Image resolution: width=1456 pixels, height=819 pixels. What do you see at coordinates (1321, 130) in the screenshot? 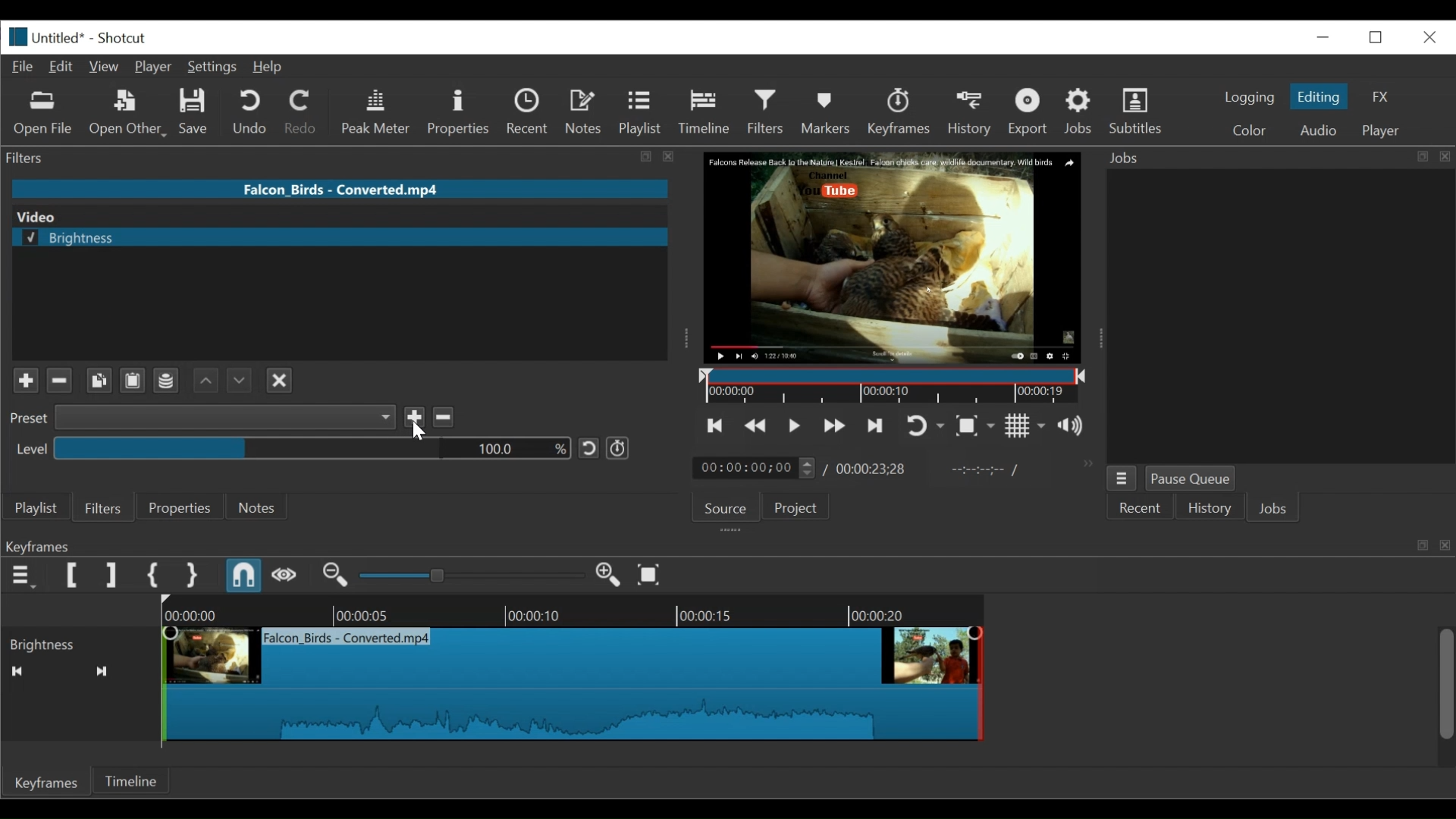
I see `Audio` at bounding box center [1321, 130].